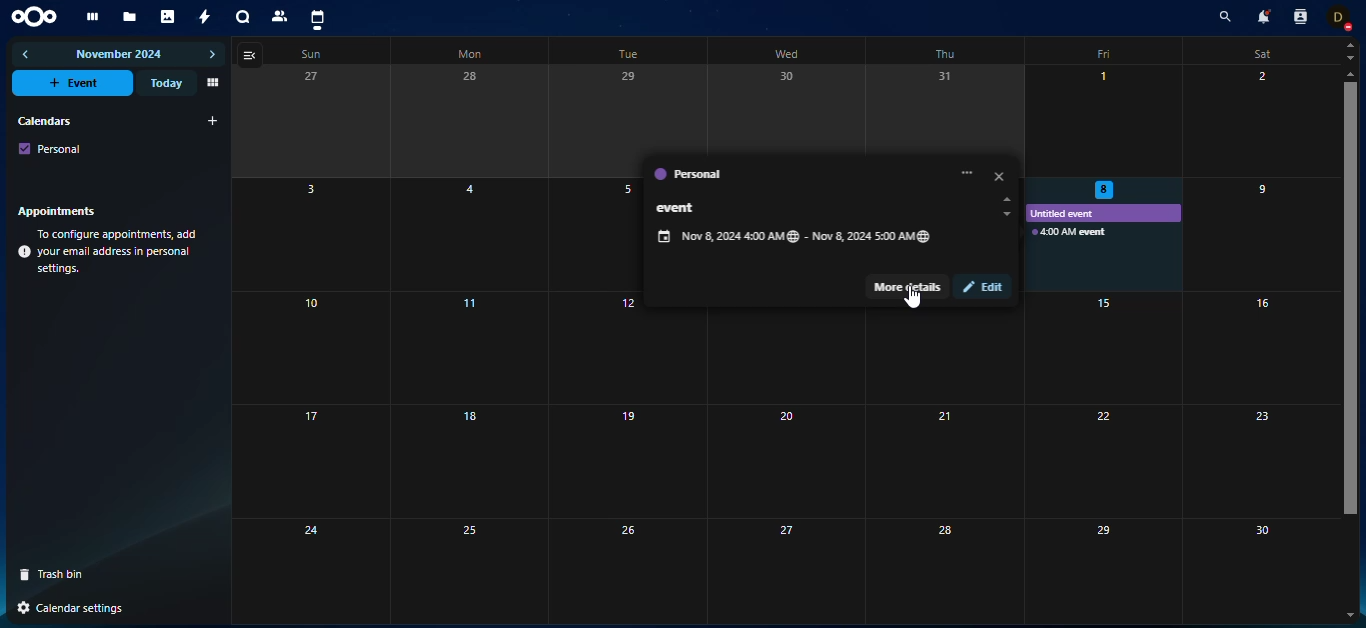 The width and height of the screenshot is (1366, 628). Describe the element at coordinates (987, 288) in the screenshot. I see `edit` at that location.